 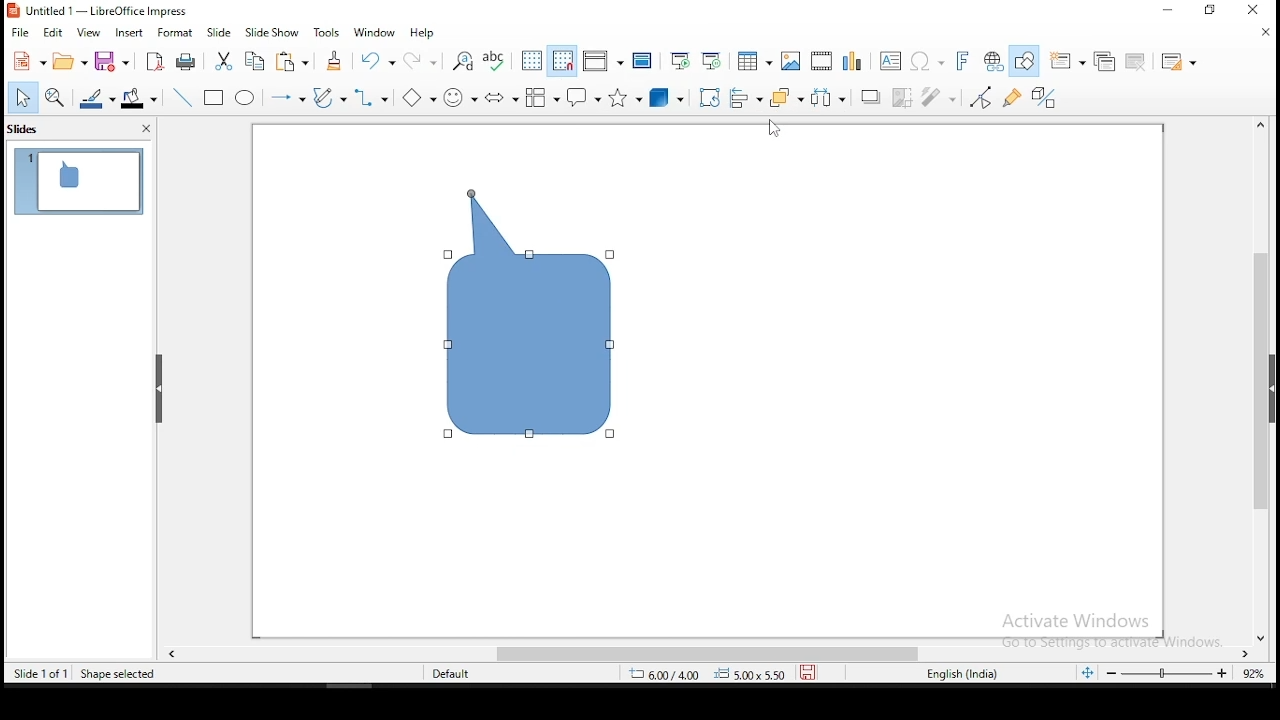 I want to click on lines and arrows, so click(x=287, y=100).